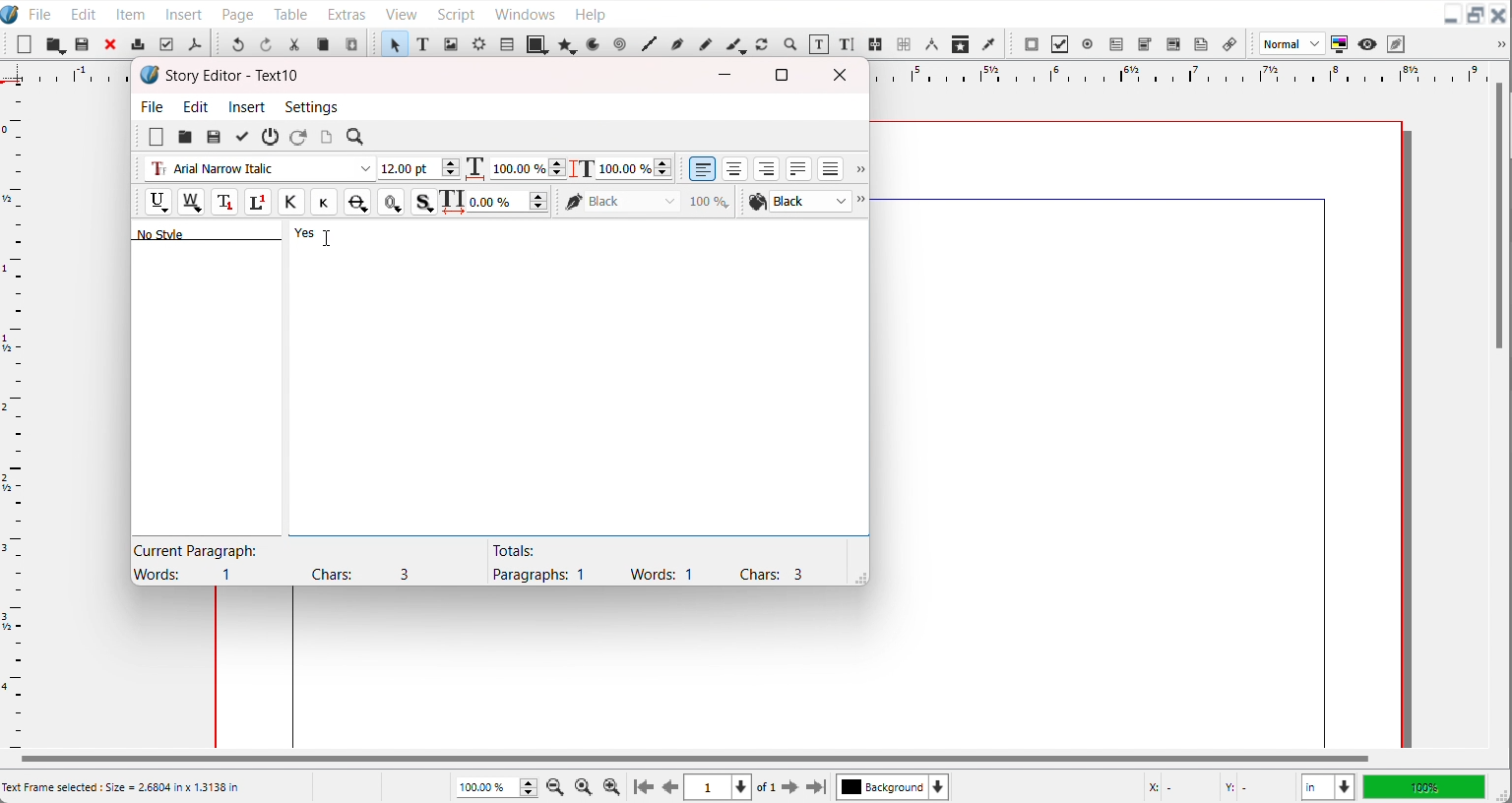 The height and width of the screenshot is (803, 1512). Describe the element at coordinates (718, 787) in the screenshot. I see `Select current page` at that location.